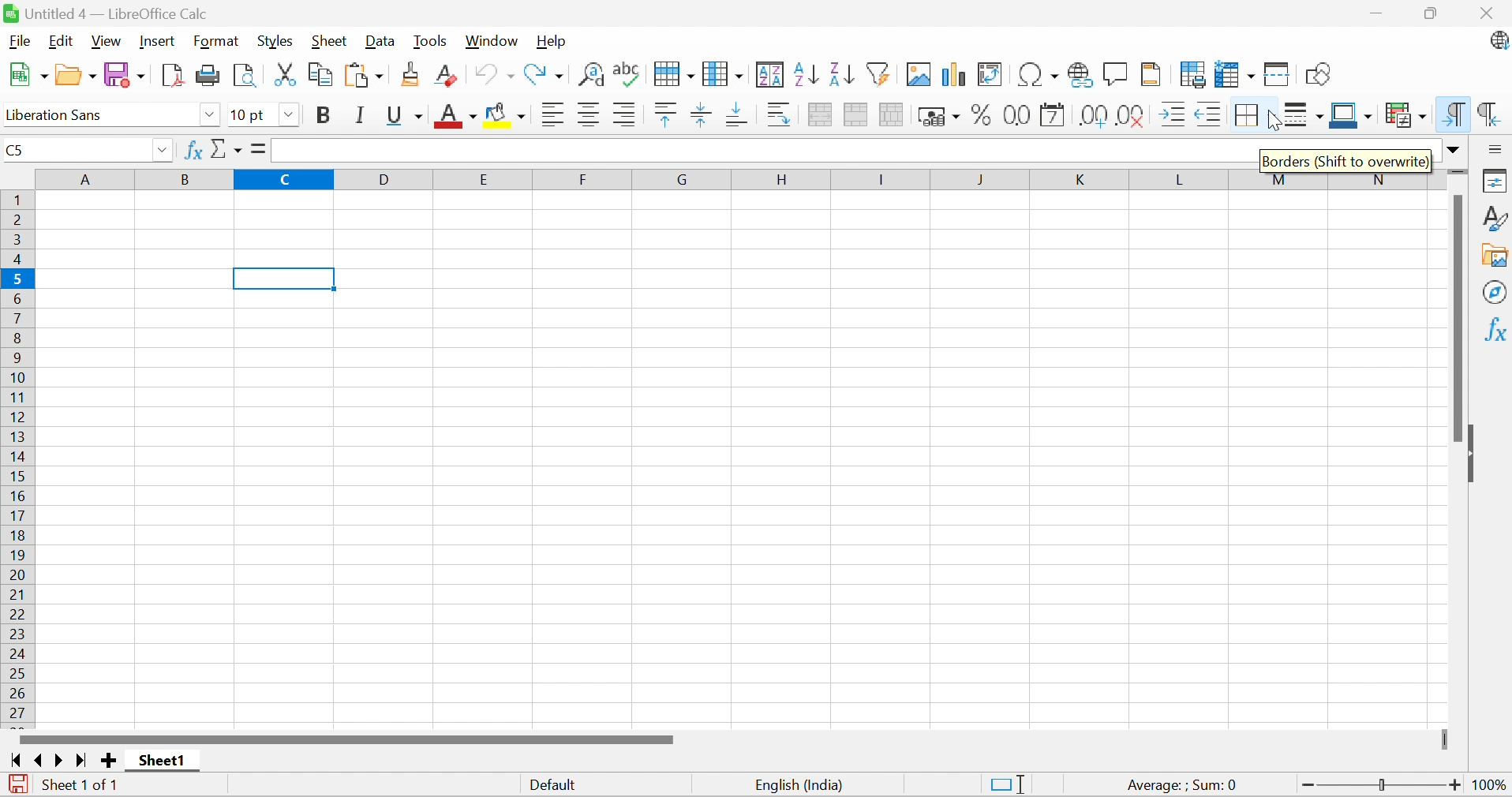  I want to click on Sort, so click(771, 75).